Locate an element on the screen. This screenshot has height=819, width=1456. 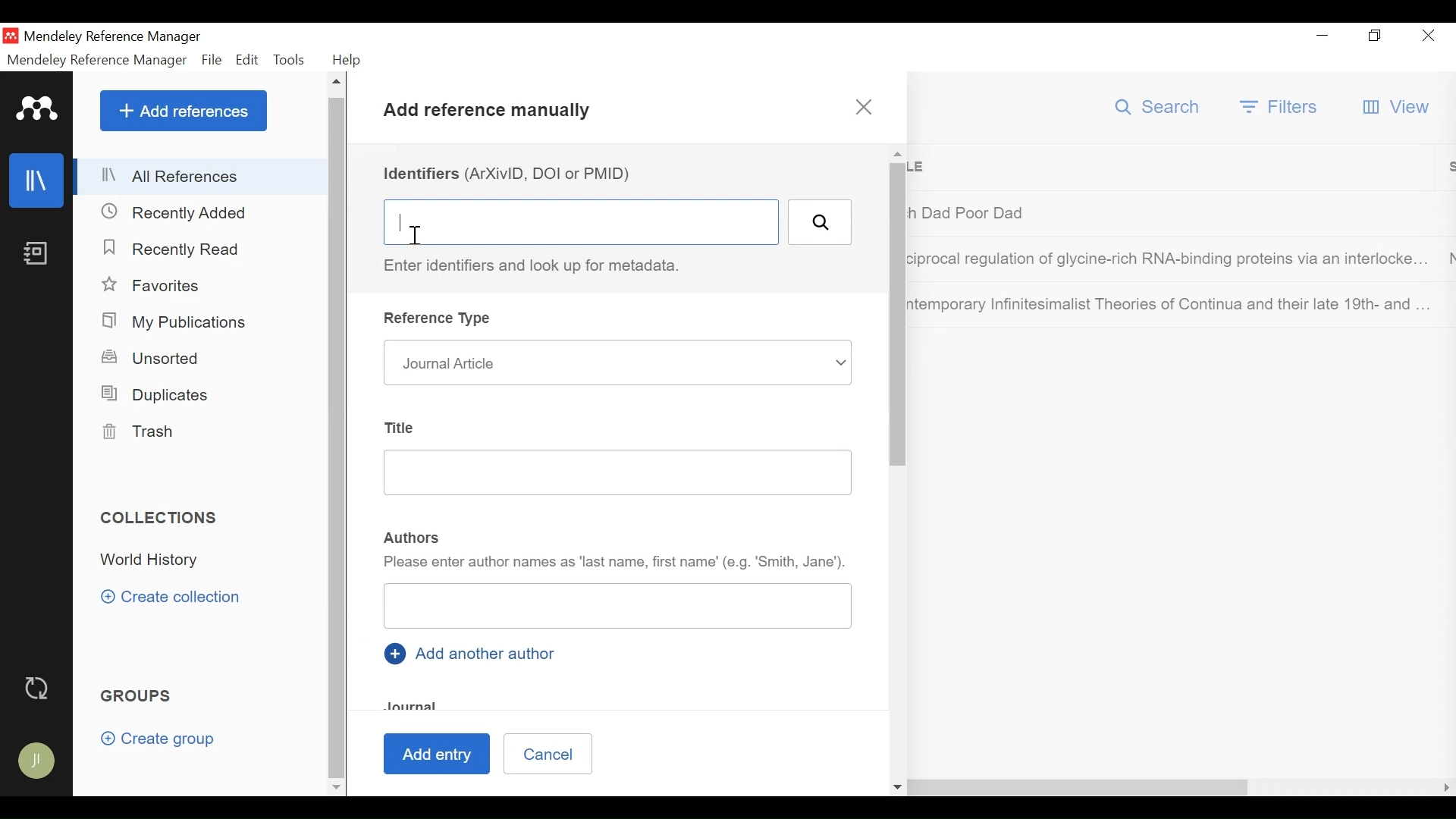
View is located at coordinates (1401, 106).